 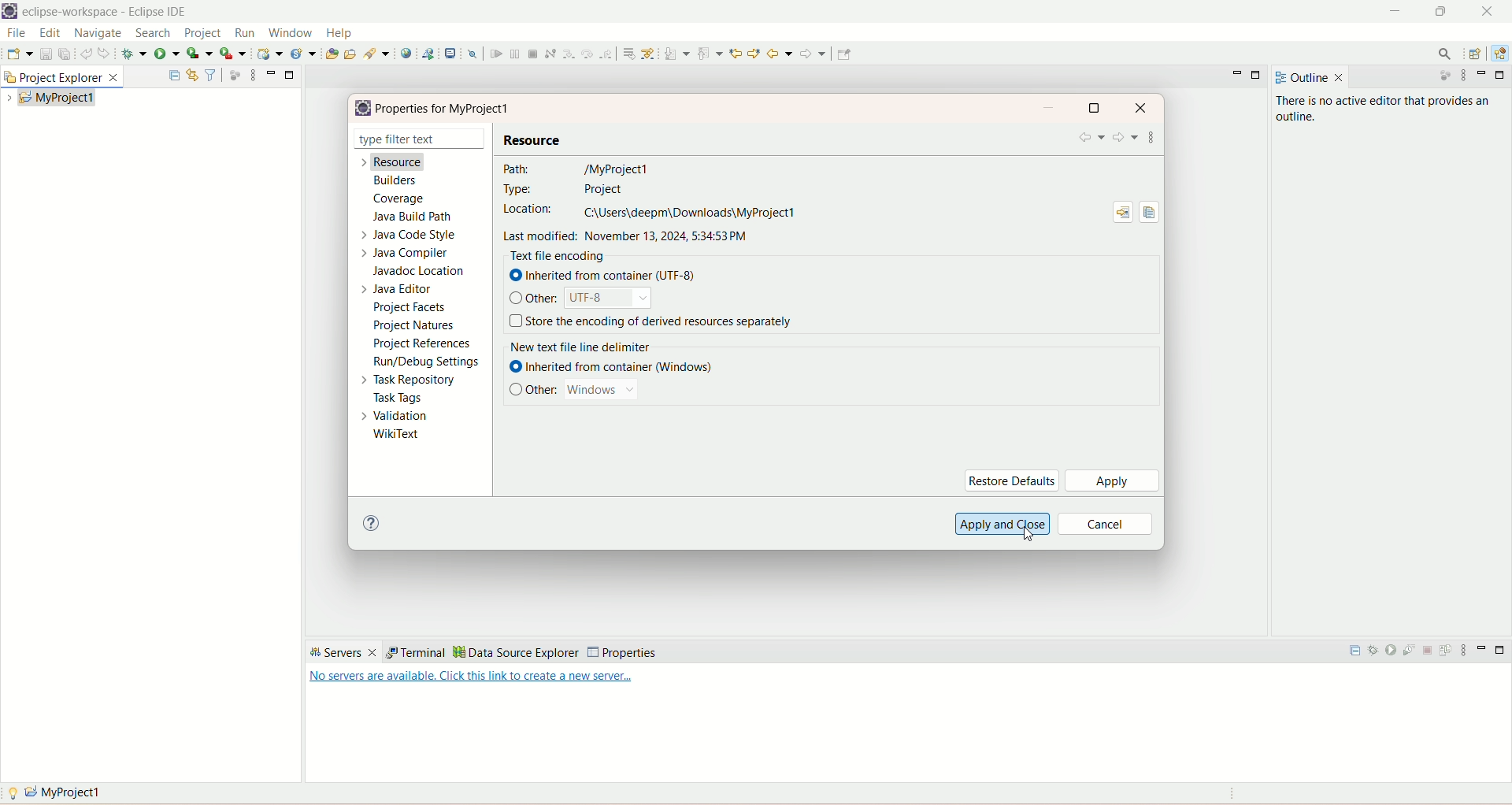 I want to click on next edit location, so click(x=736, y=54).